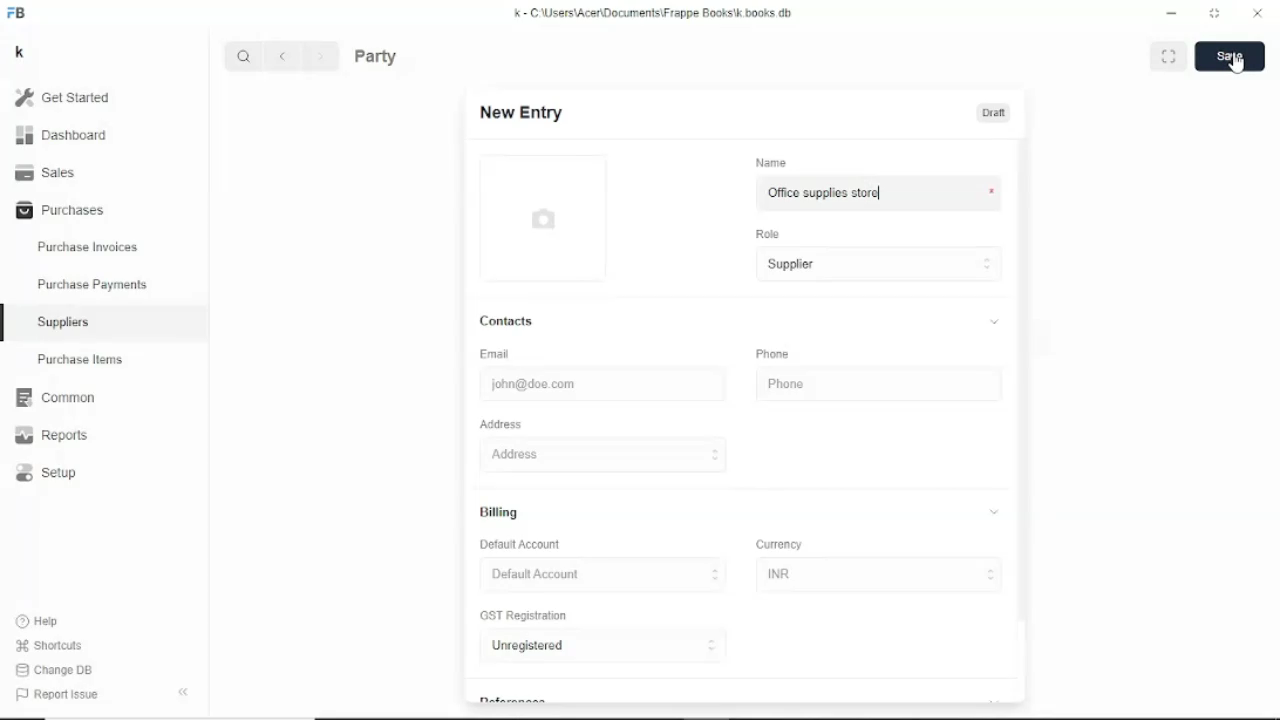 The width and height of the screenshot is (1280, 720). What do you see at coordinates (496, 354) in the screenshot?
I see `Email` at bounding box center [496, 354].